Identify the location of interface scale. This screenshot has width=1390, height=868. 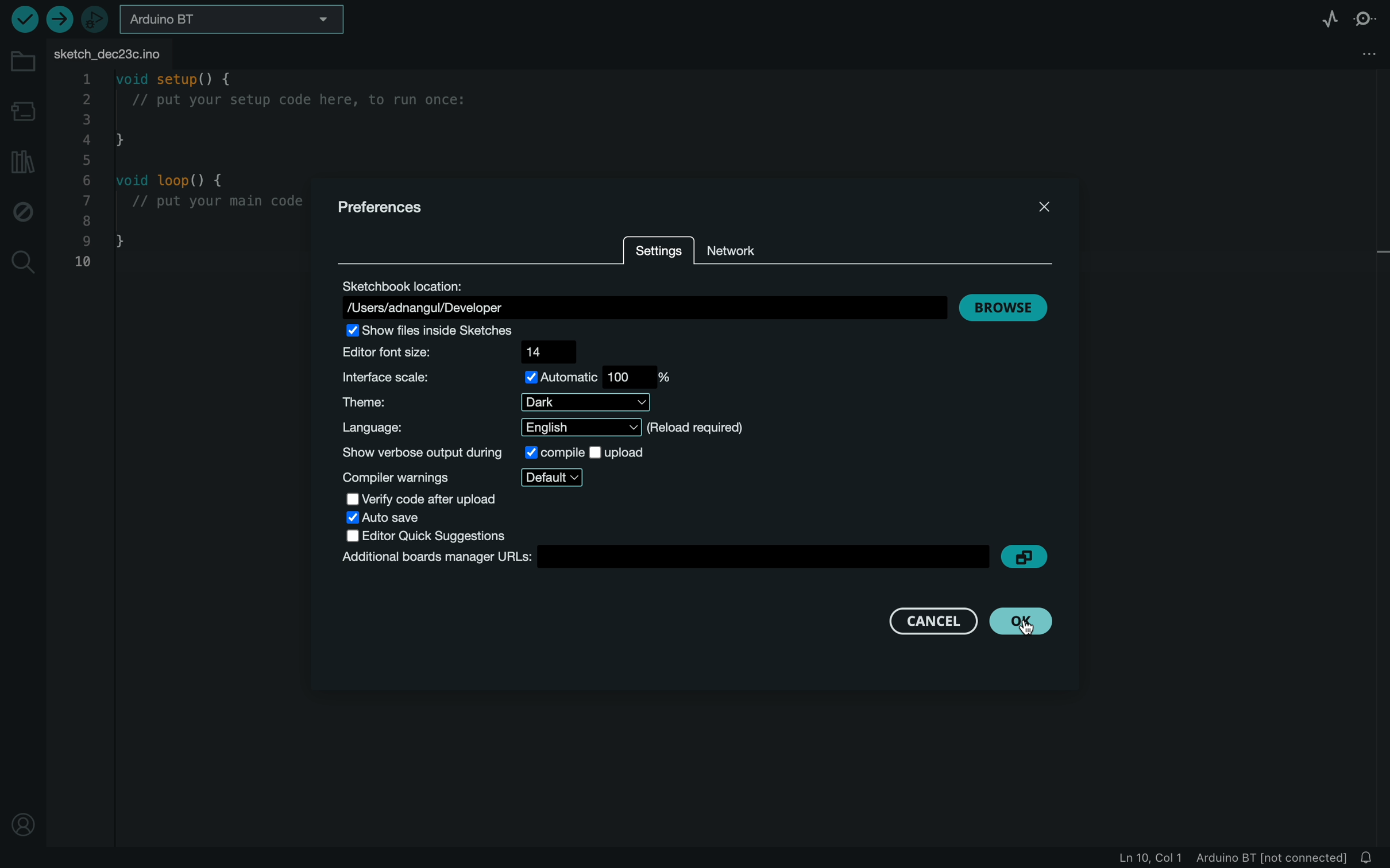
(512, 379).